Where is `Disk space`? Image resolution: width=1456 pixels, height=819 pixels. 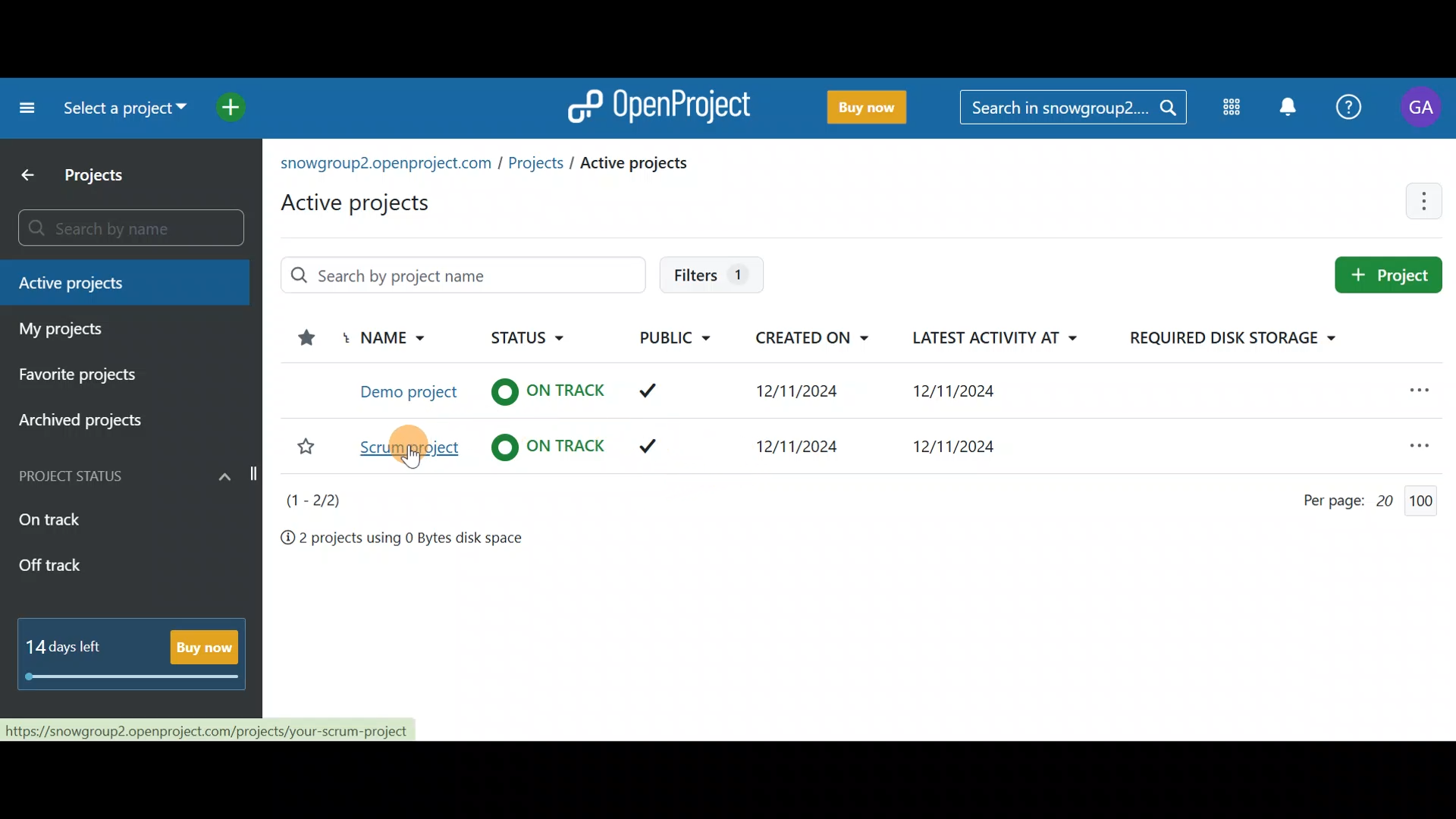
Disk space is located at coordinates (402, 541).